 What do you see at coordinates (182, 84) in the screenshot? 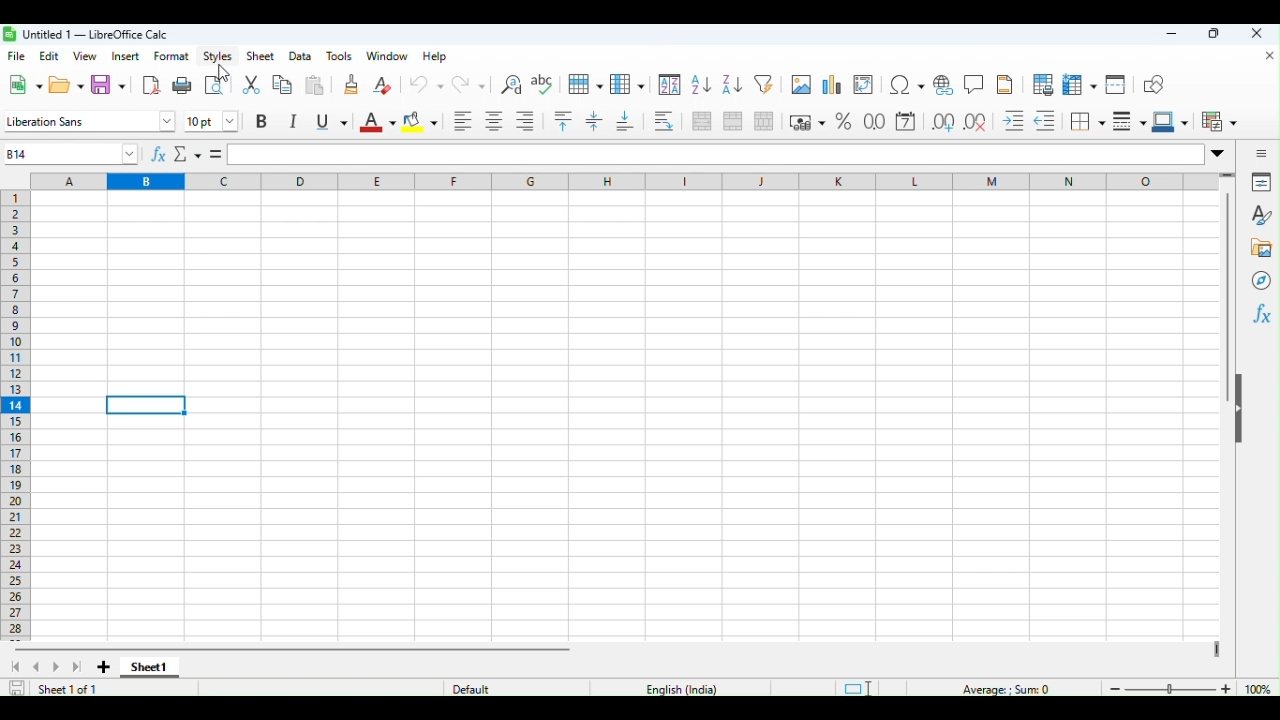
I see `print` at bounding box center [182, 84].